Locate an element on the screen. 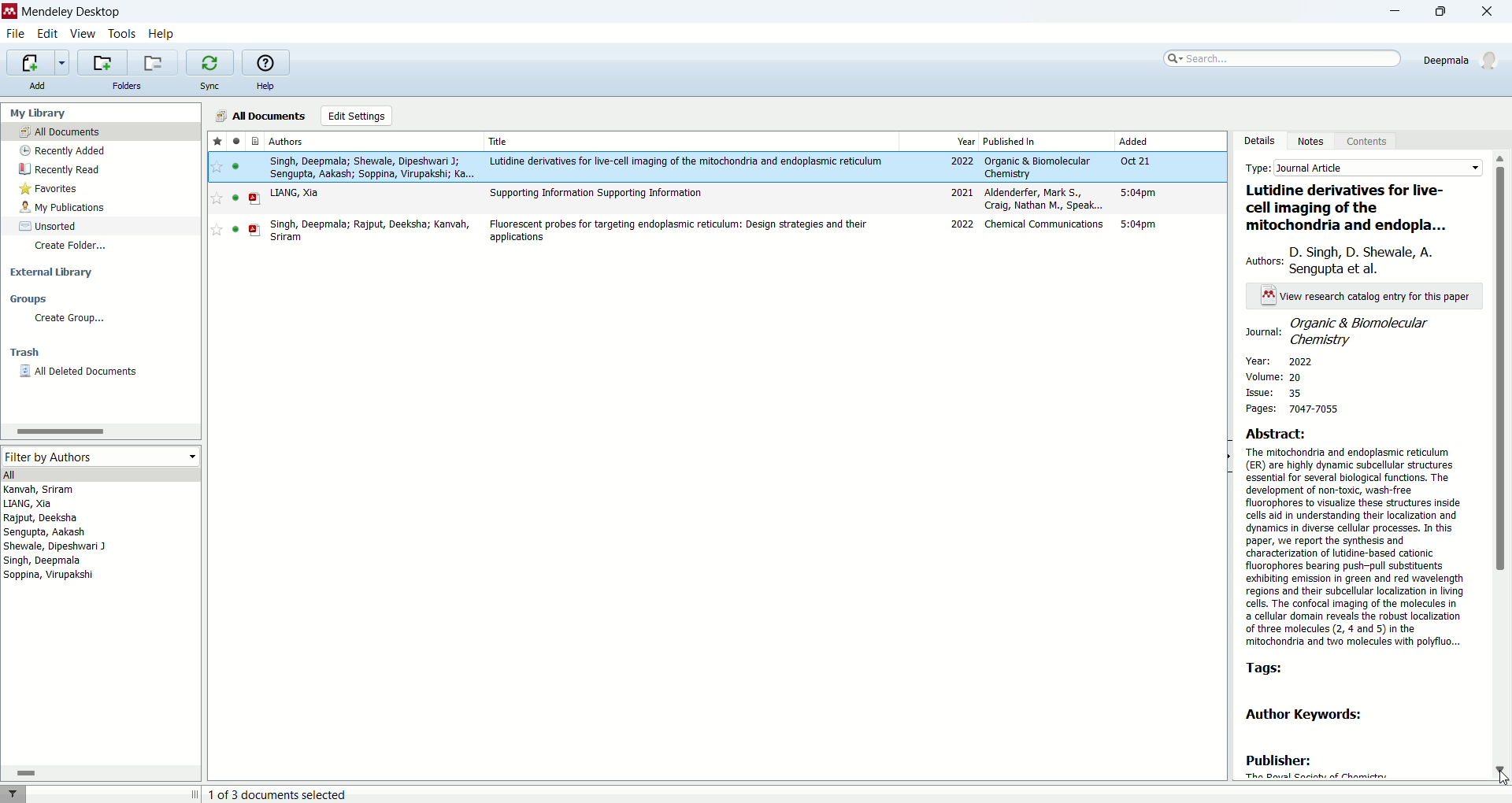 This screenshot has width=1512, height=803. tags: is located at coordinates (1280, 670).